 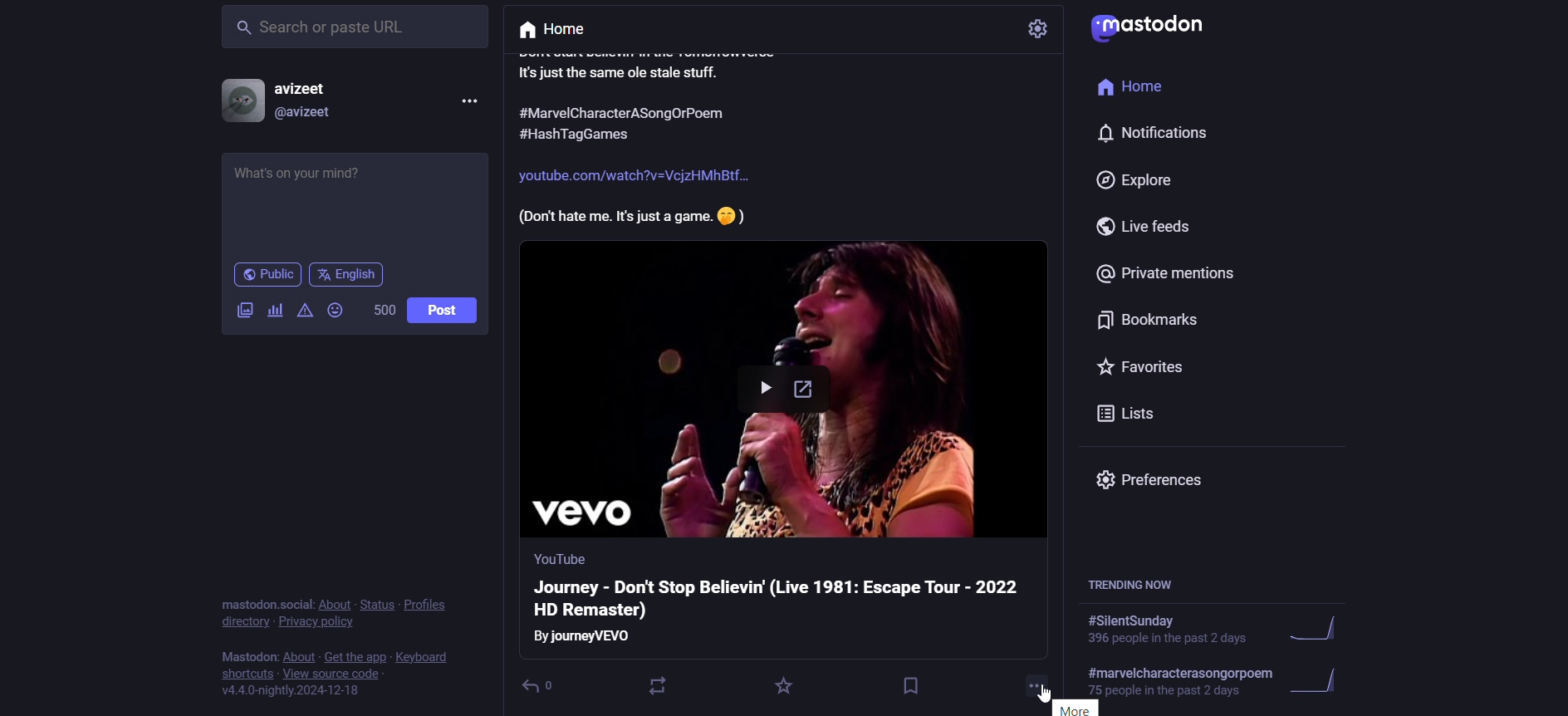 What do you see at coordinates (375, 605) in the screenshot?
I see `status` at bounding box center [375, 605].